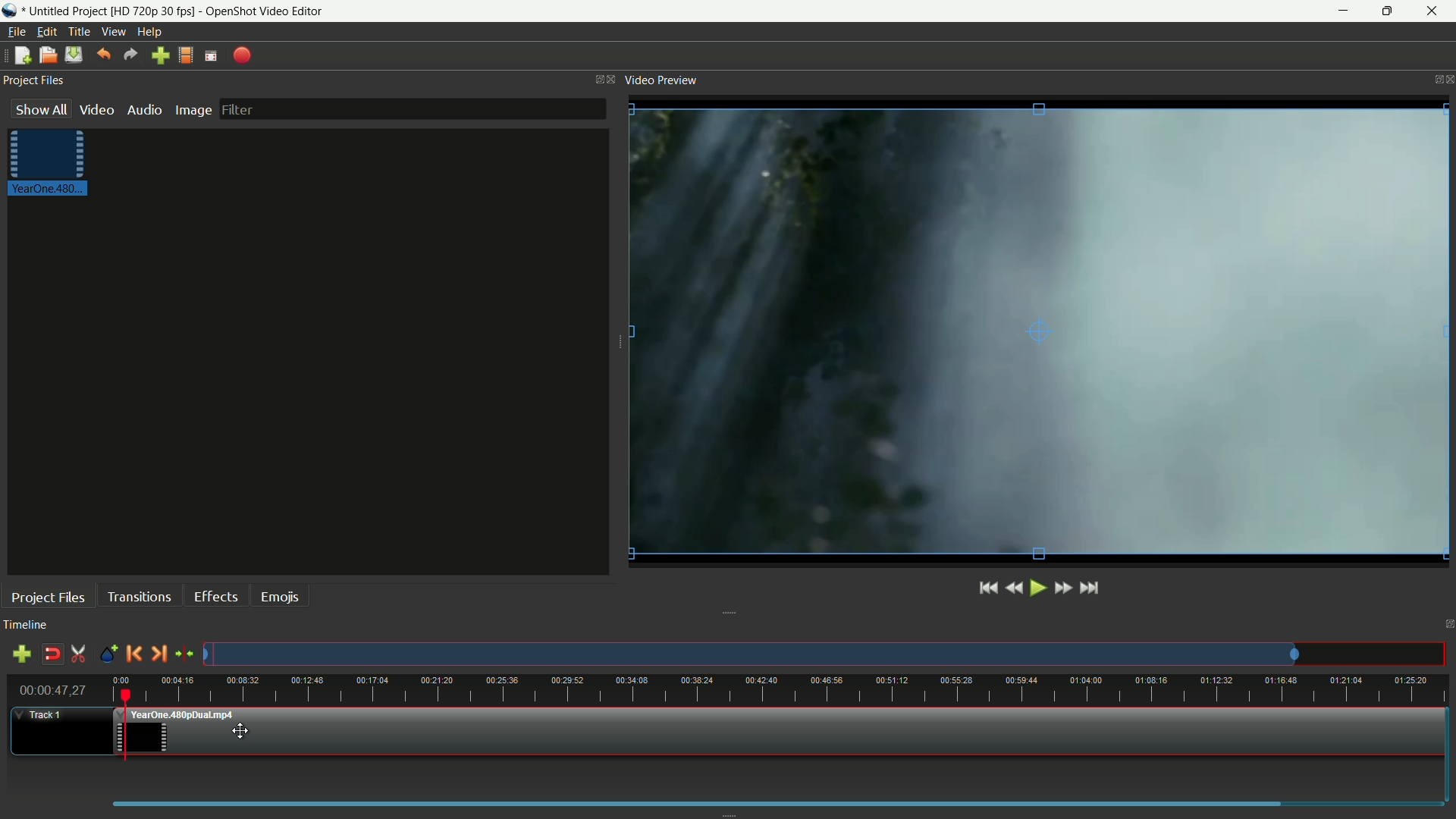  Describe the element at coordinates (283, 597) in the screenshot. I see `emojis` at that location.